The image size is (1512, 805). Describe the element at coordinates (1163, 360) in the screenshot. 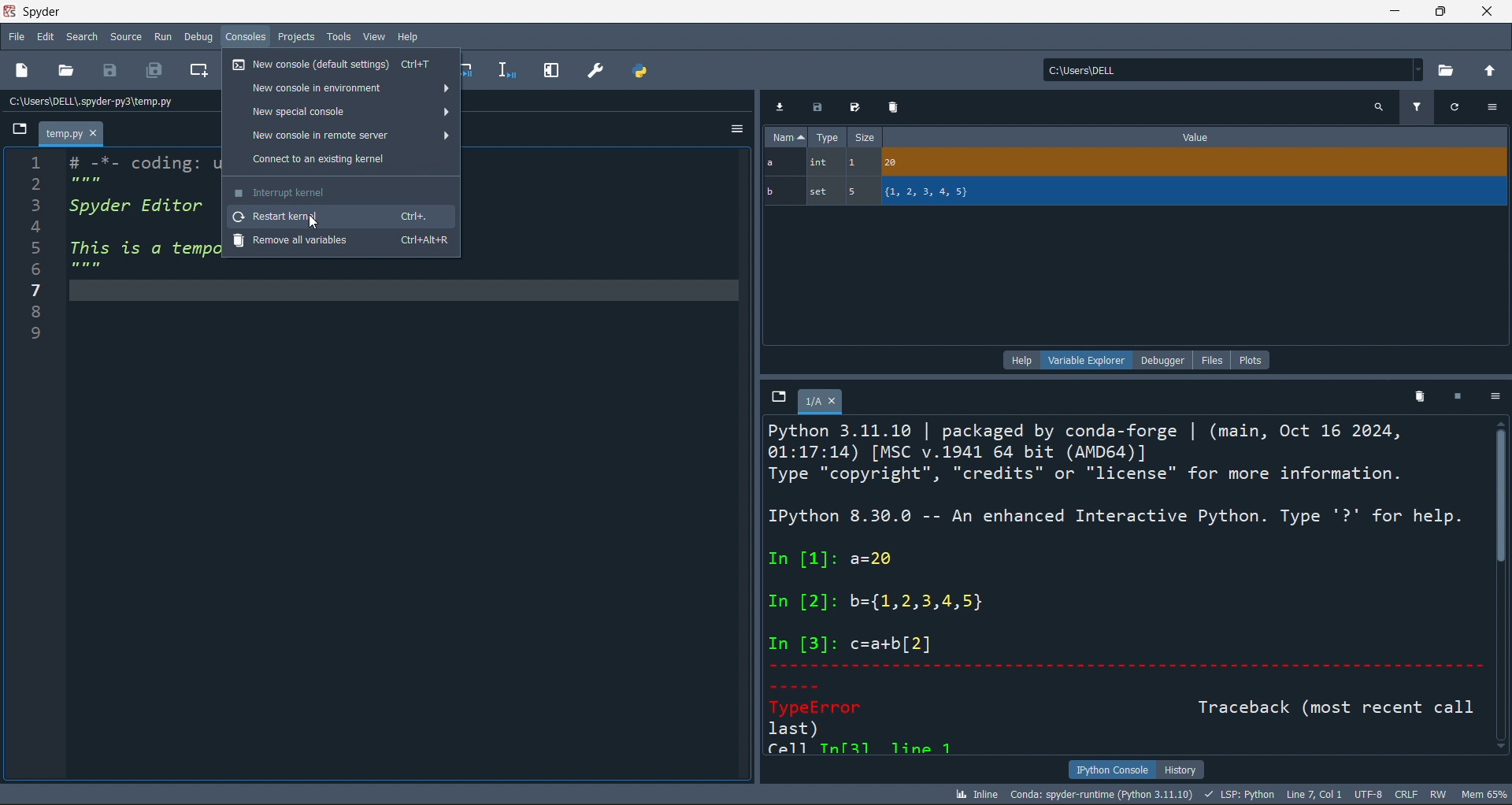

I see `debugger` at that location.